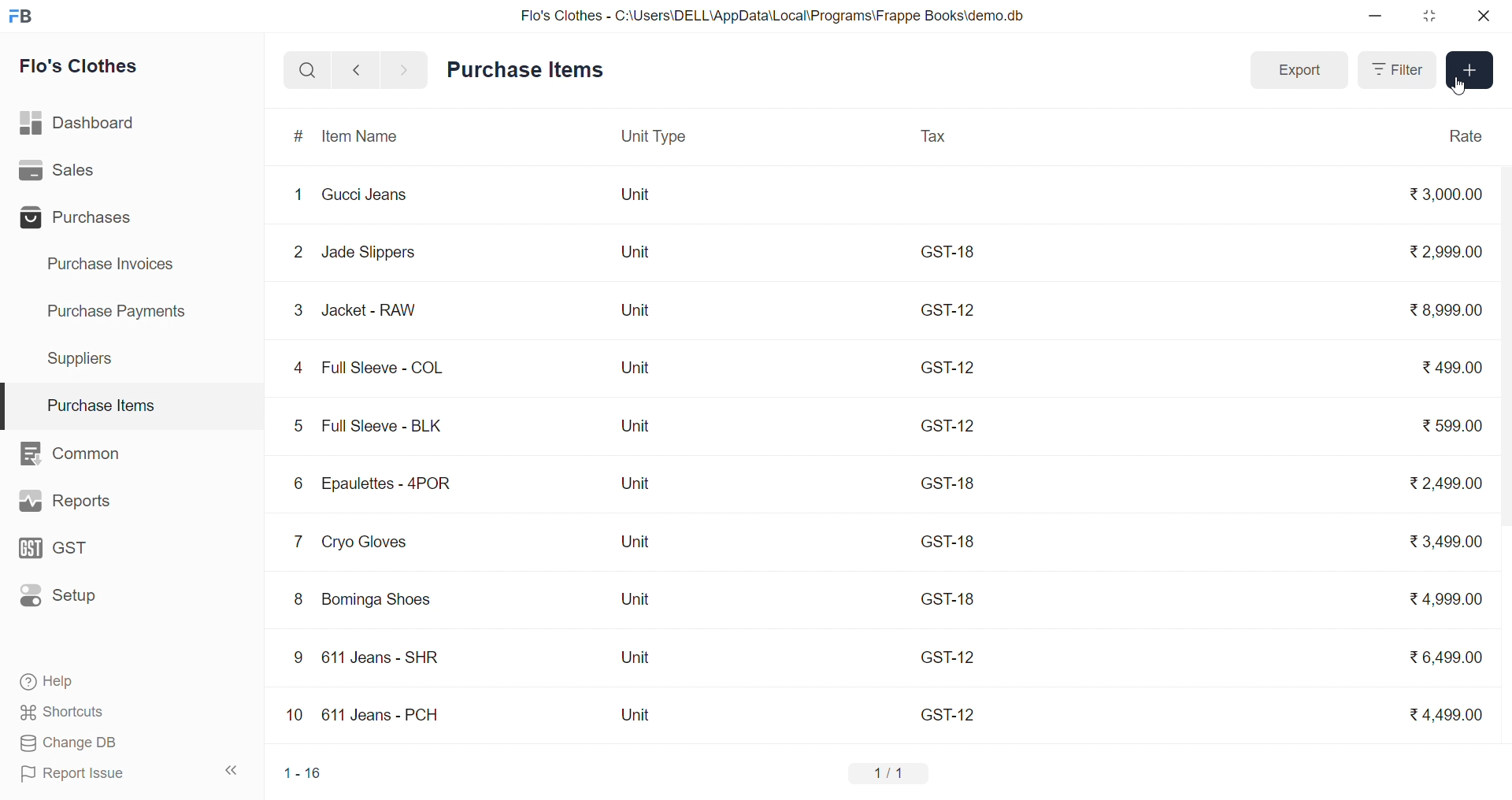 This screenshot has width=1512, height=800. Describe the element at coordinates (299, 311) in the screenshot. I see `3` at that location.